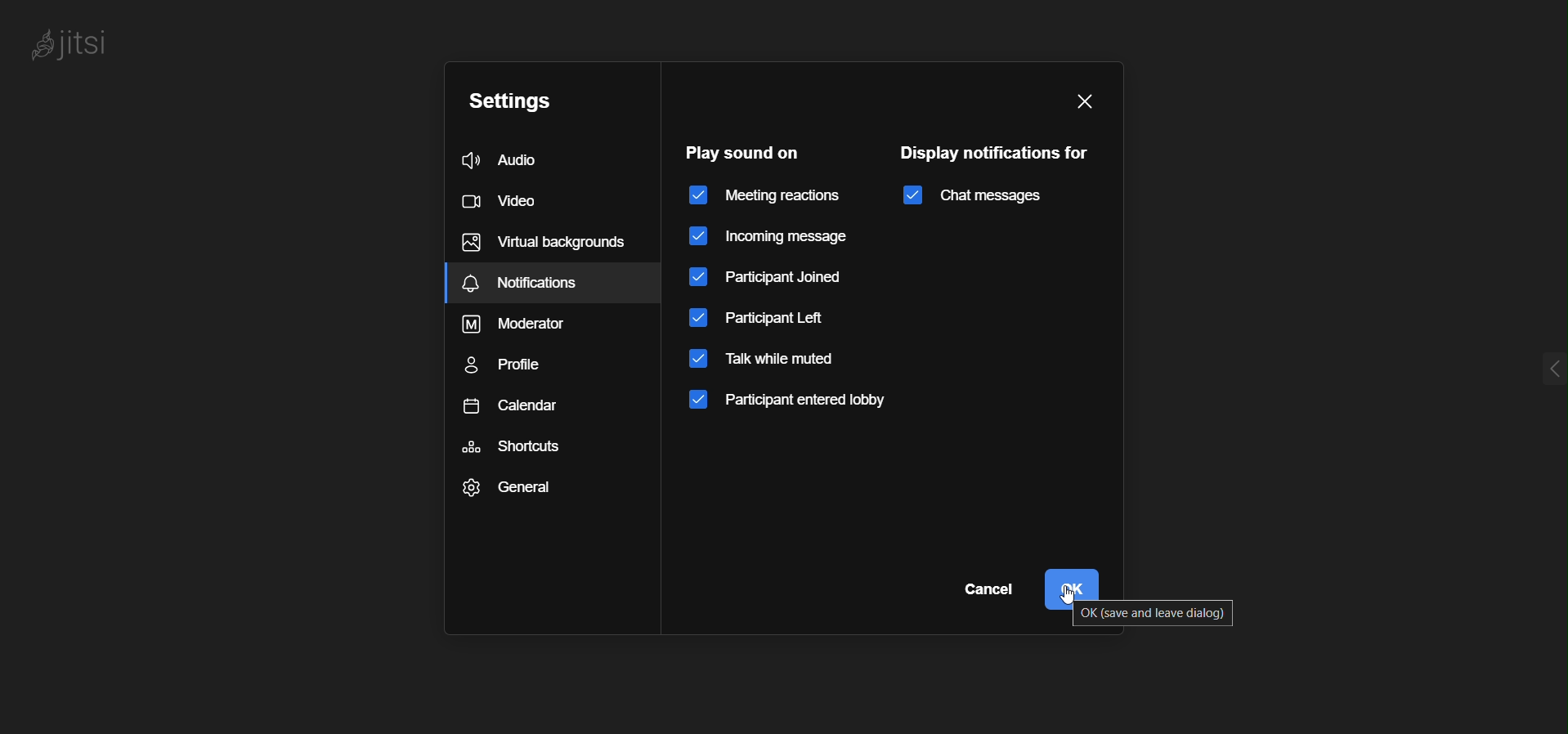 This screenshot has width=1568, height=734. What do you see at coordinates (1159, 615) in the screenshot?
I see `ok(save and leave dialog)` at bounding box center [1159, 615].